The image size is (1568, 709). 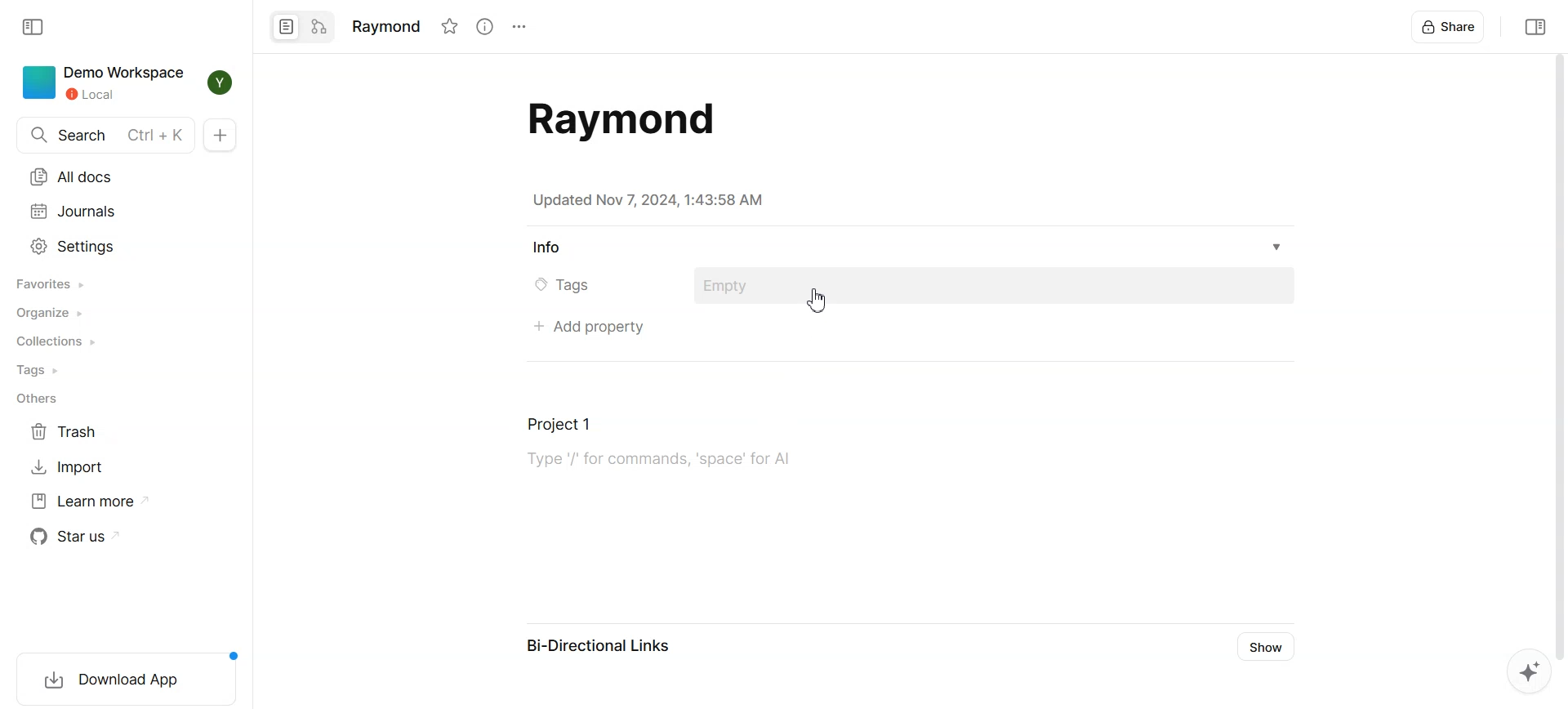 I want to click on Info drop down box, so click(x=1277, y=248).